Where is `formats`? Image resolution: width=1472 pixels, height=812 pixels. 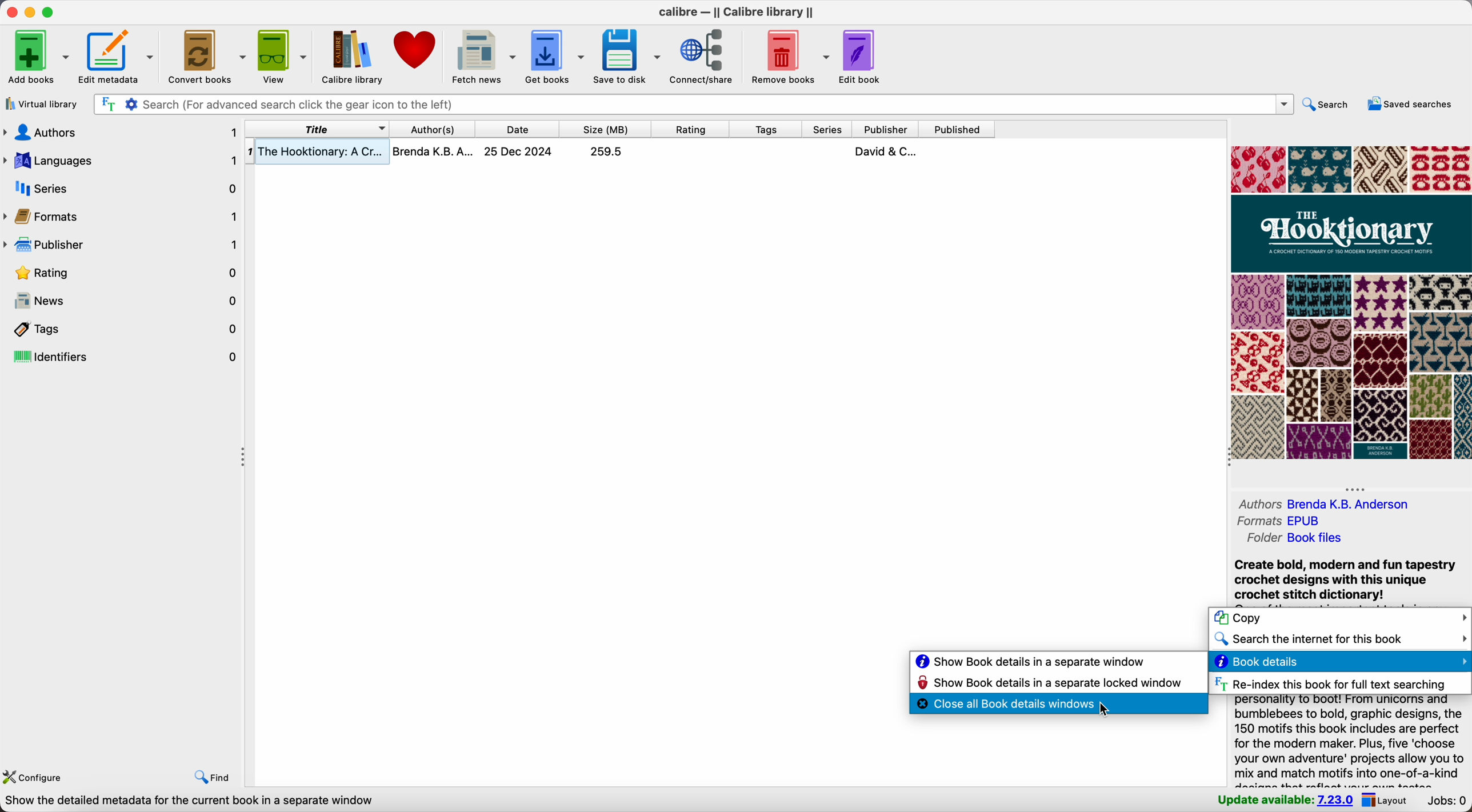 formats is located at coordinates (1283, 522).